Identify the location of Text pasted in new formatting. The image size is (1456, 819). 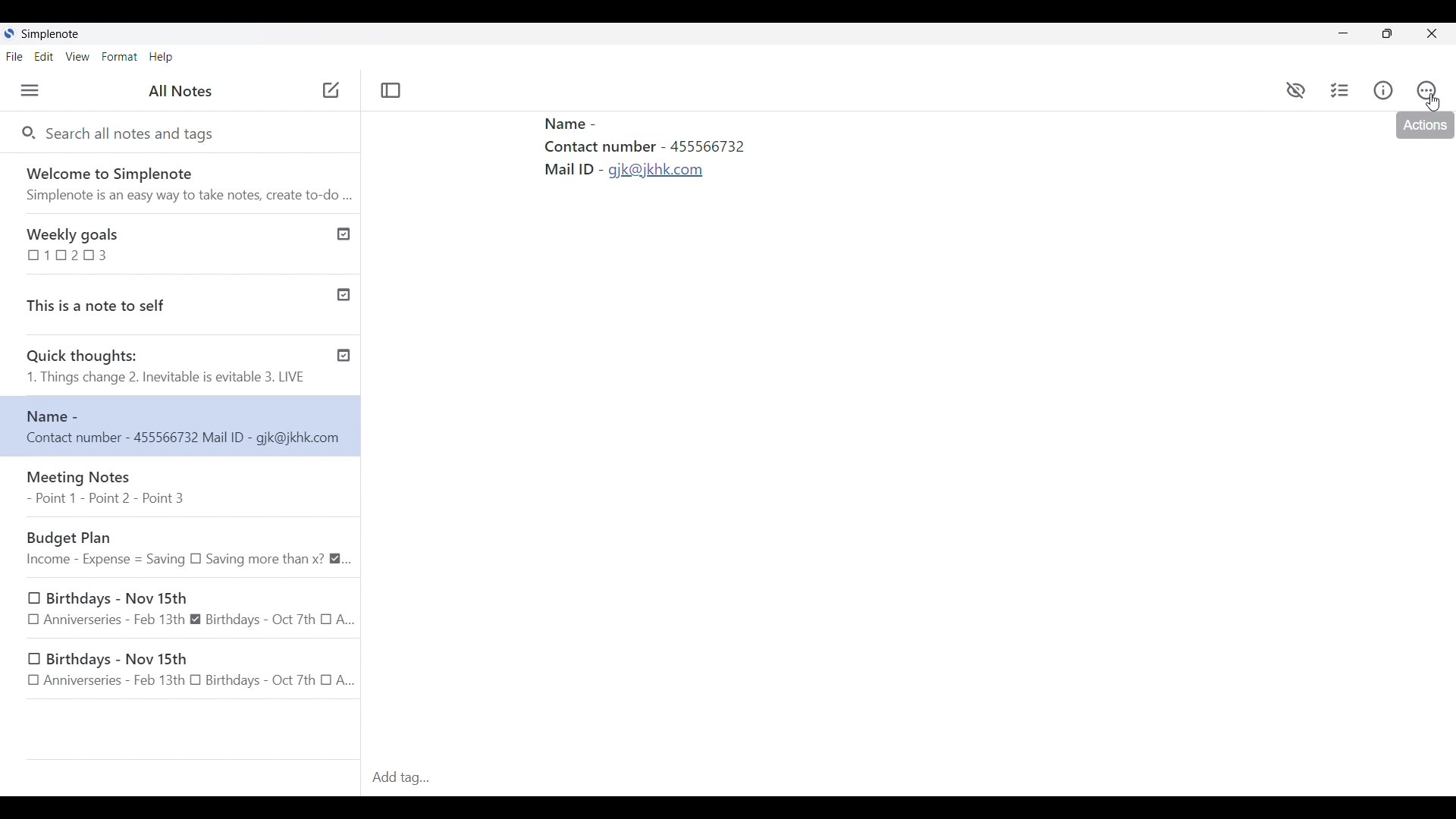
(684, 166).